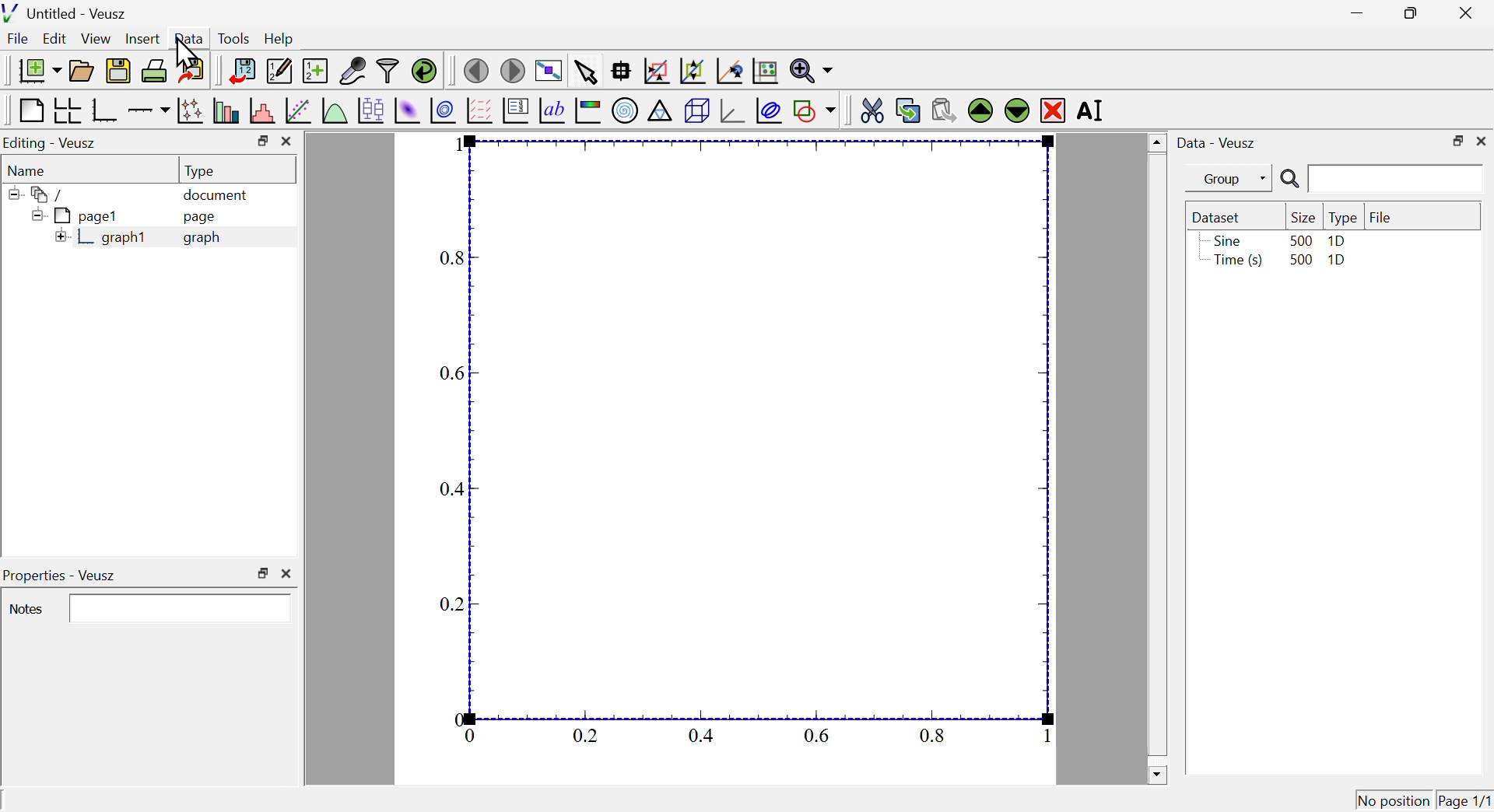  Describe the element at coordinates (183, 607) in the screenshot. I see `text box` at that location.